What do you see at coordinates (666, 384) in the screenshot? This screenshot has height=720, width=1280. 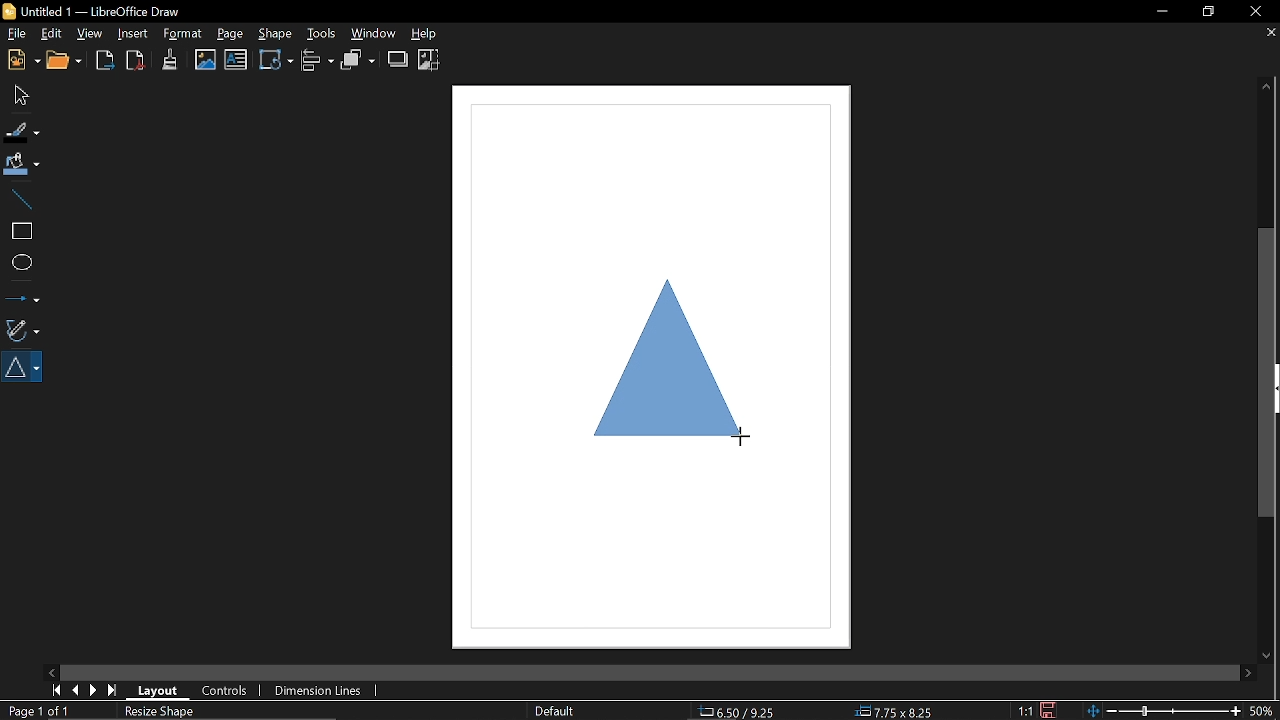 I see `TrIangle drawn` at bounding box center [666, 384].